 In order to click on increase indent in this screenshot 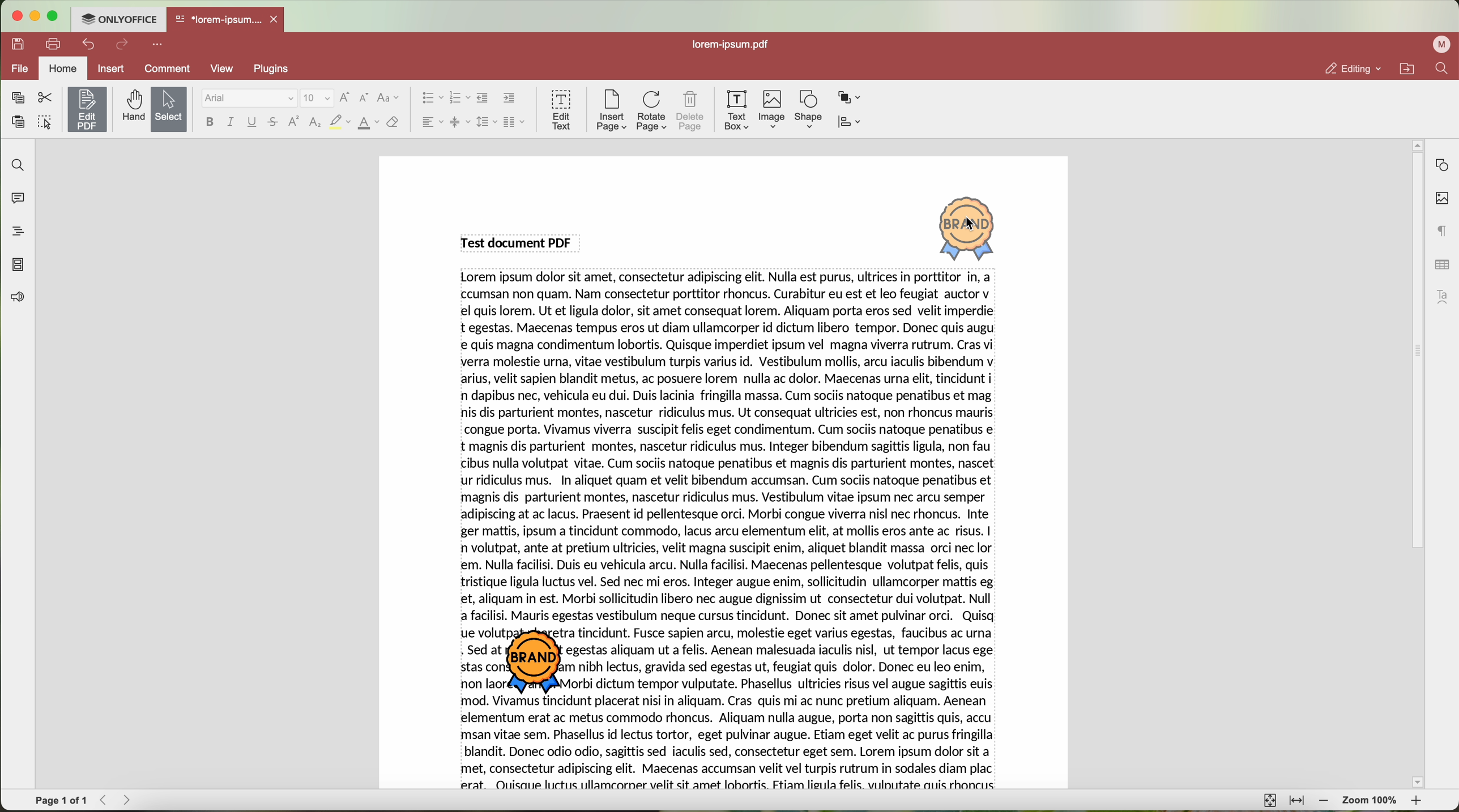, I will do `click(510, 97)`.